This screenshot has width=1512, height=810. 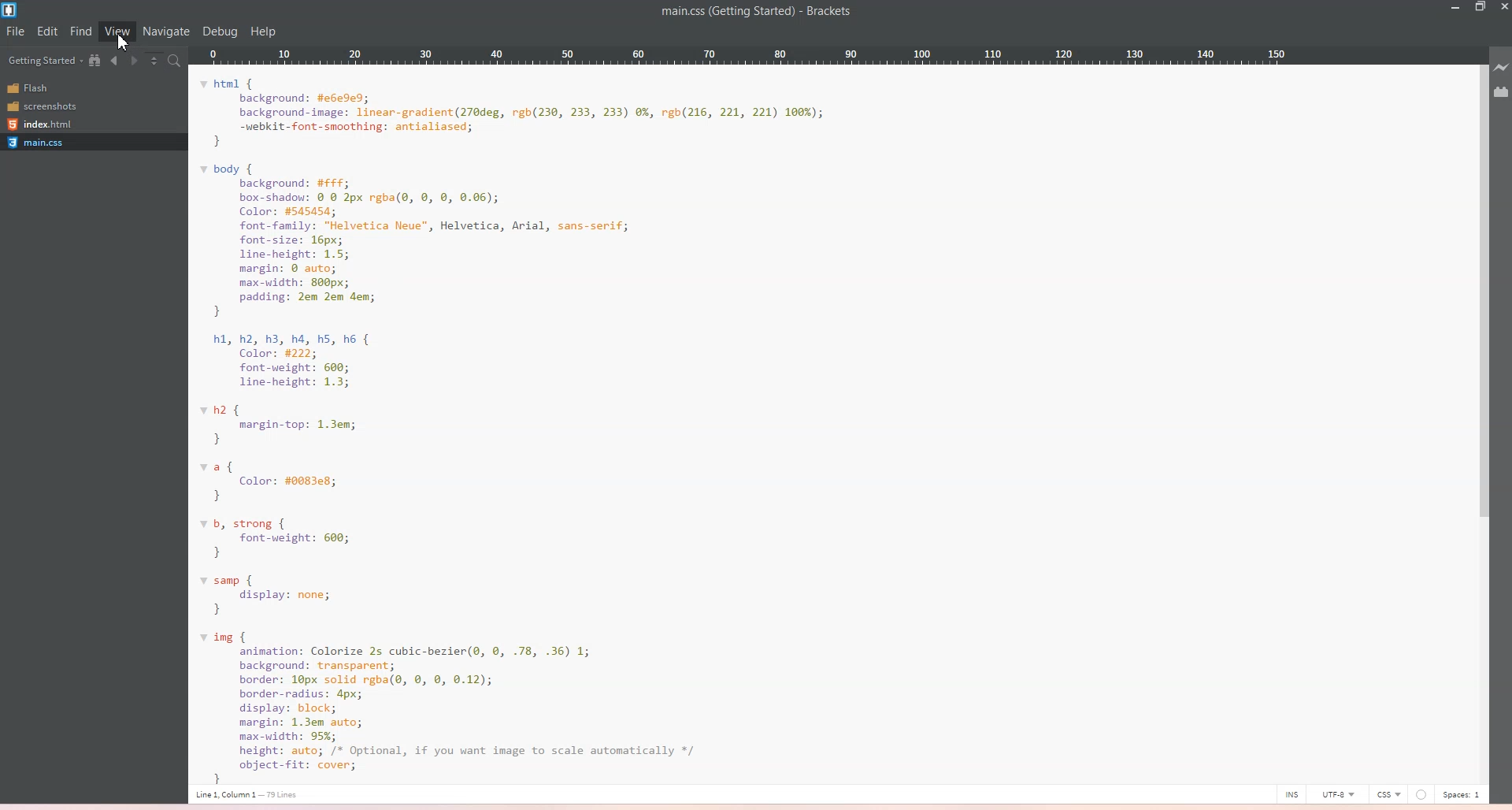 What do you see at coordinates (756, 13) in the screenshot?
I see `main.css(Getting Started)-Brackets` at bounding box center [756, 13].